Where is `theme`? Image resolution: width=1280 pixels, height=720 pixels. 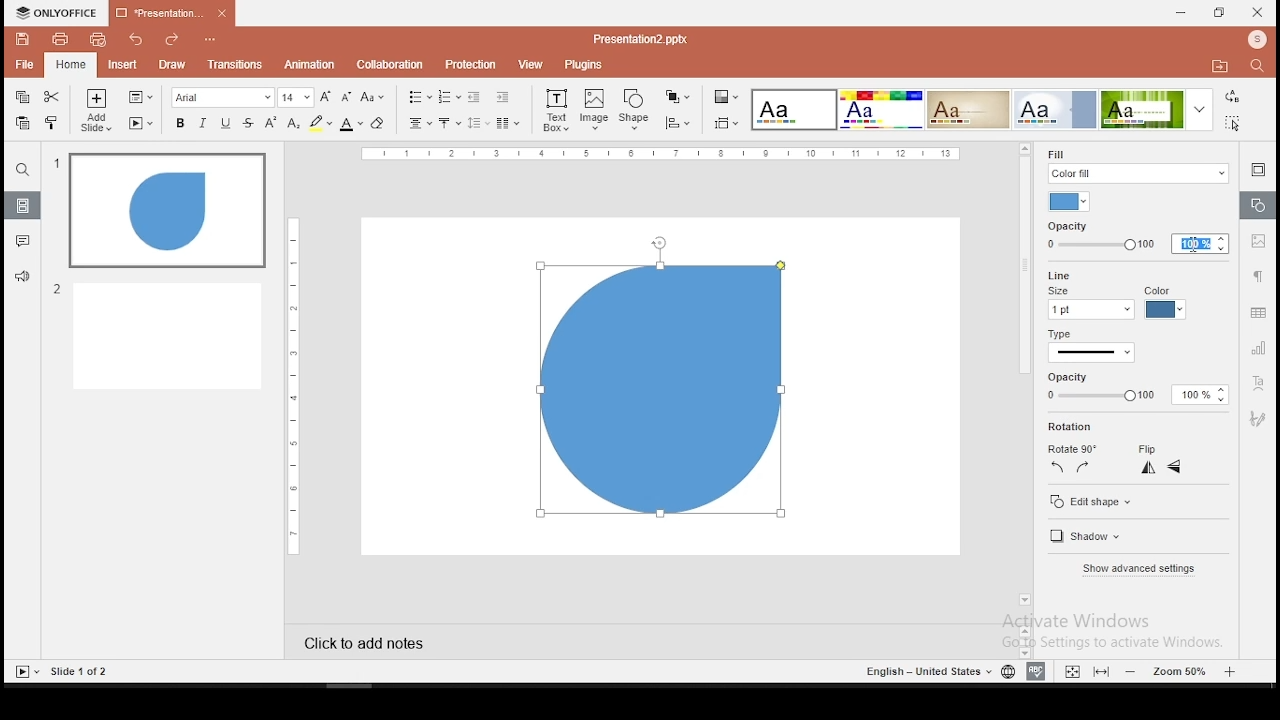 theme is located at coordinates (880, 109).